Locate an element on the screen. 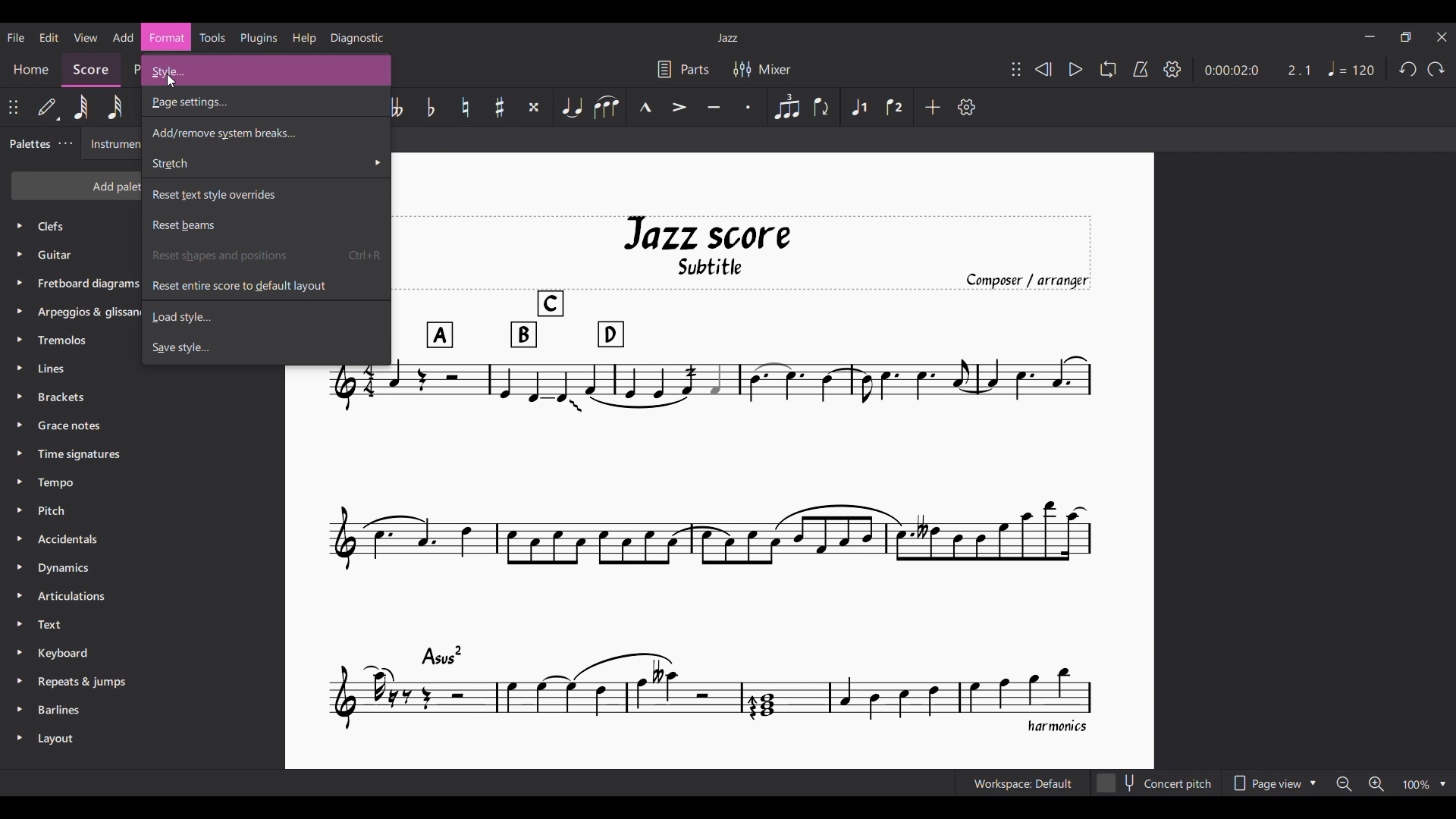 This screenshot has width=1456, height=819. Palette options is located at coordinates (57, 227).